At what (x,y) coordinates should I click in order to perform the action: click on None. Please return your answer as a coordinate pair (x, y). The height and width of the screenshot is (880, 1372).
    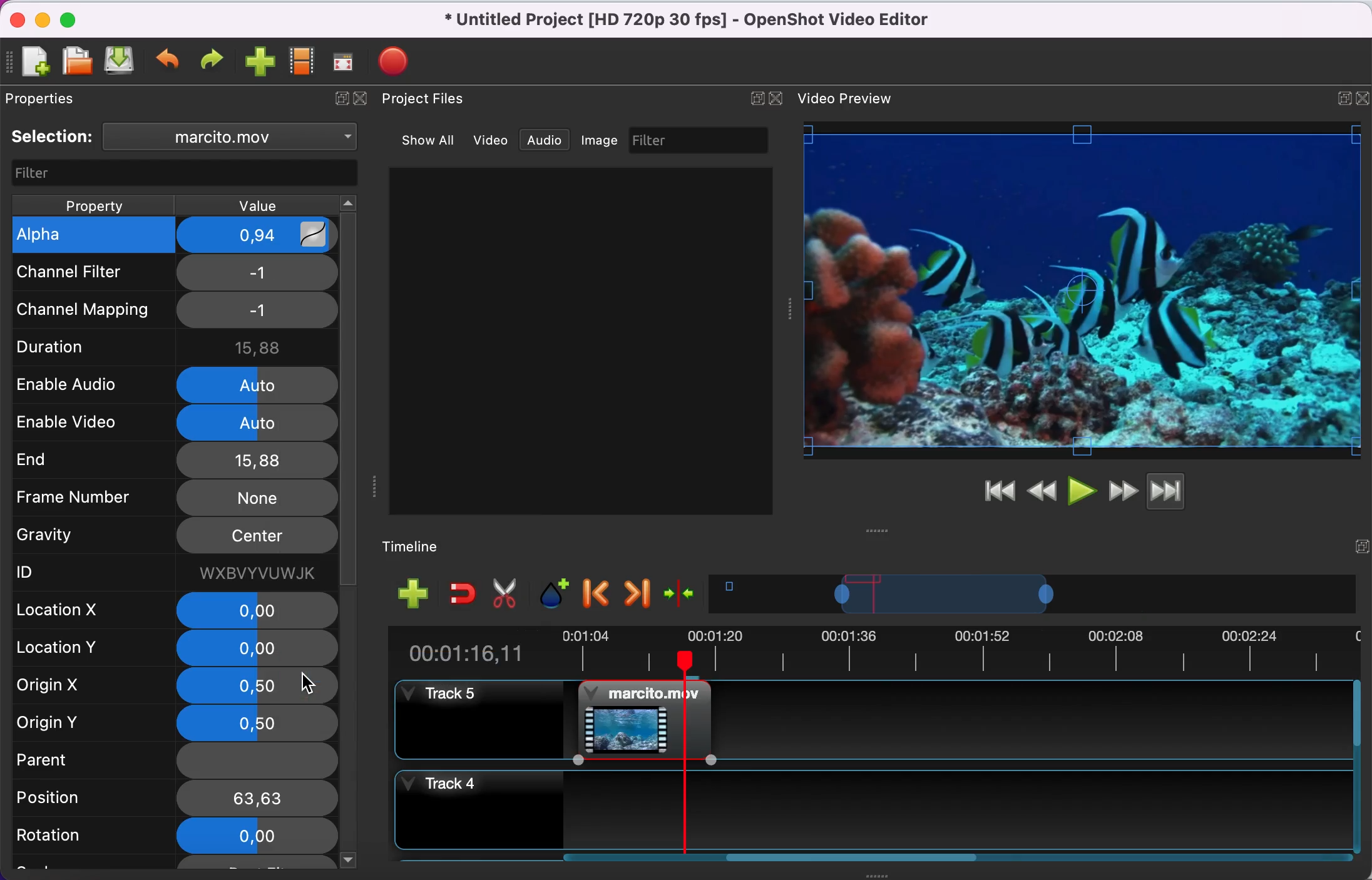
    Looking at the image, I should click on (257, 498).